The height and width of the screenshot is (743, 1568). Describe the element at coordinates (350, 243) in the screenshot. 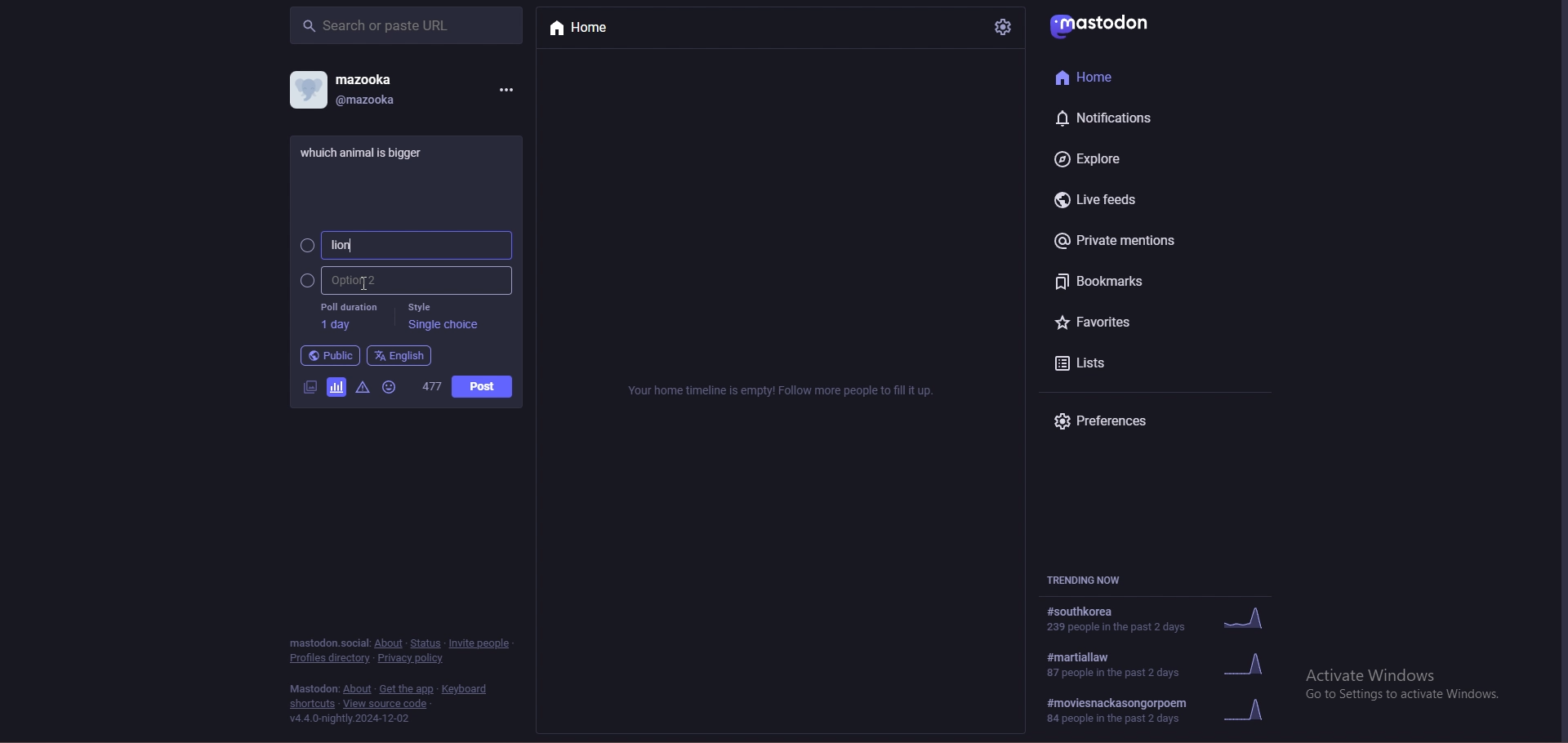

I see `typing cursor` at that location.